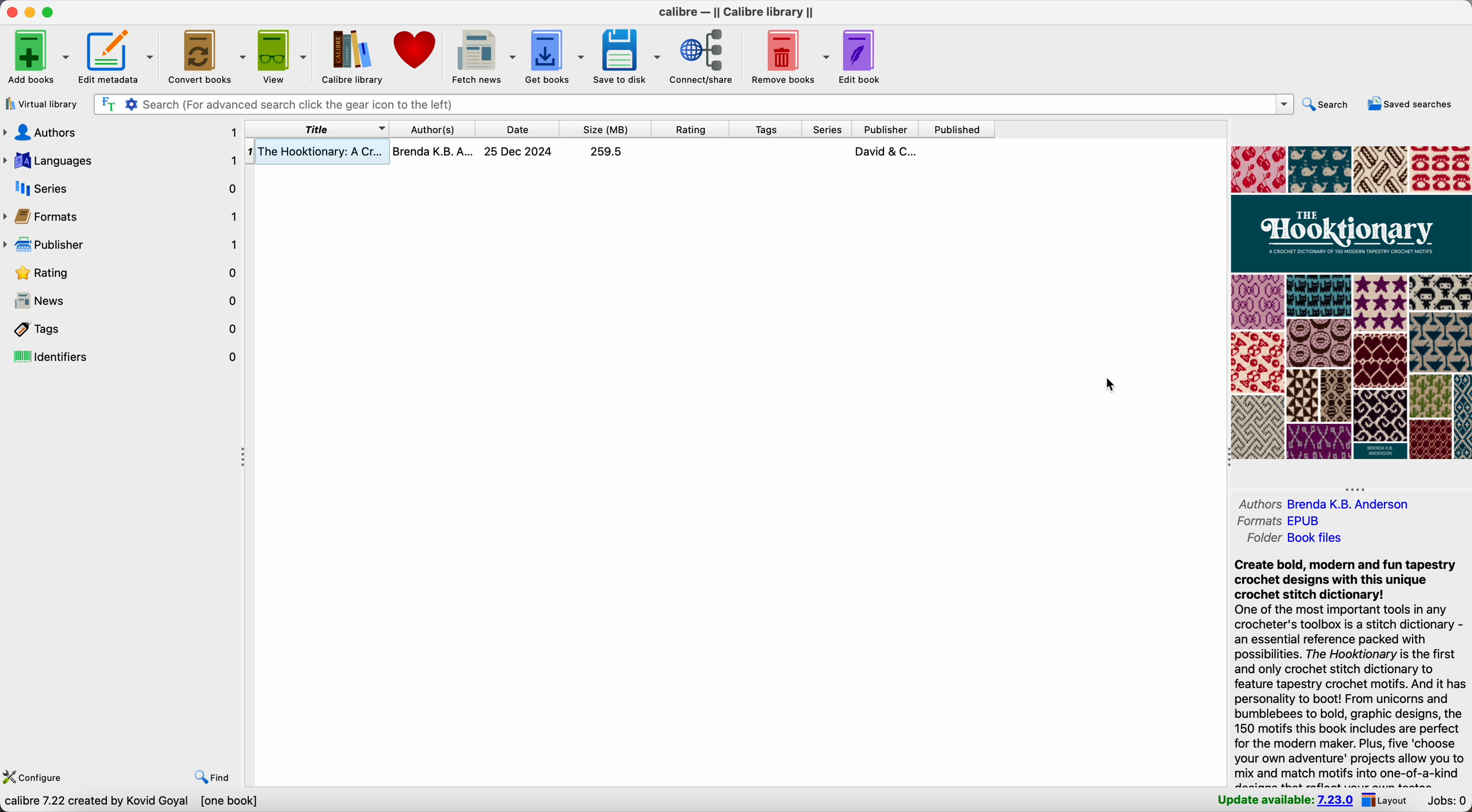 Image resolution: width=1472 pixels, height=812 pixels. I want to click on add books, so click(37, 57).